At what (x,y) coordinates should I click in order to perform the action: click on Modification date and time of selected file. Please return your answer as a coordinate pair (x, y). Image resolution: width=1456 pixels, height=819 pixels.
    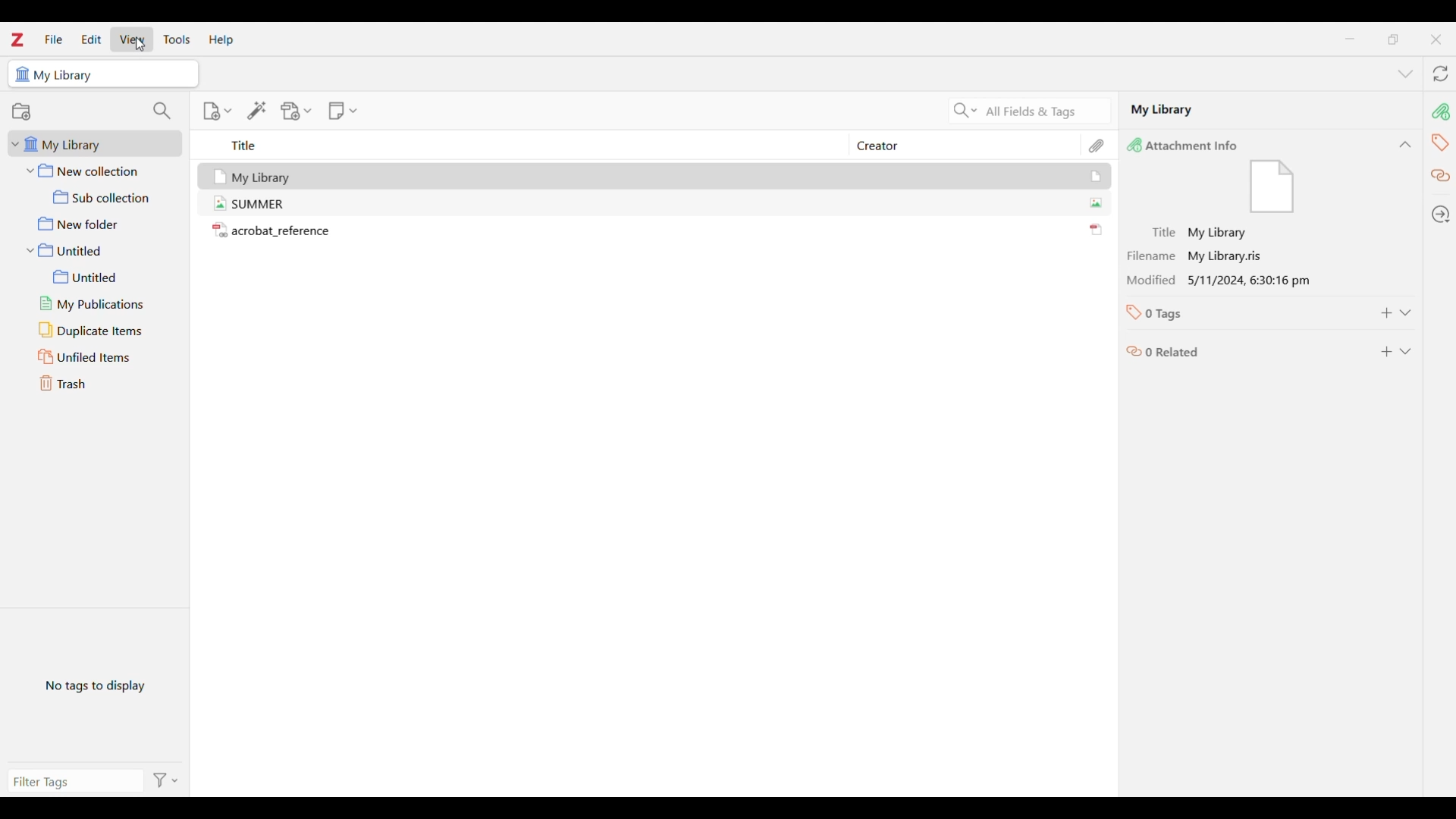
    Looking at the image, I should click on (1218, 283).